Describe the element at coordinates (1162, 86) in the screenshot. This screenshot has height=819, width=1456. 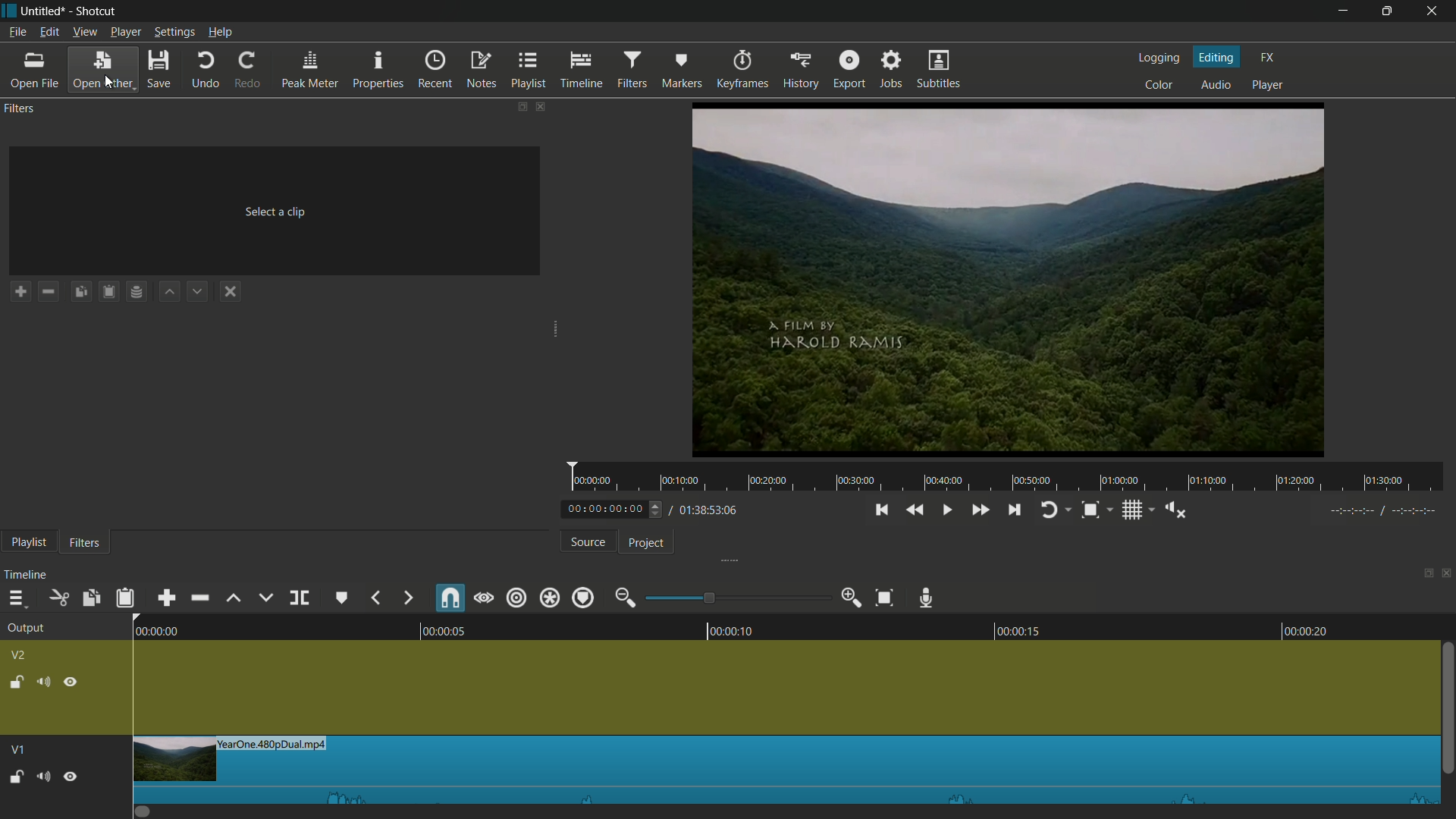
I see `color` at that location.